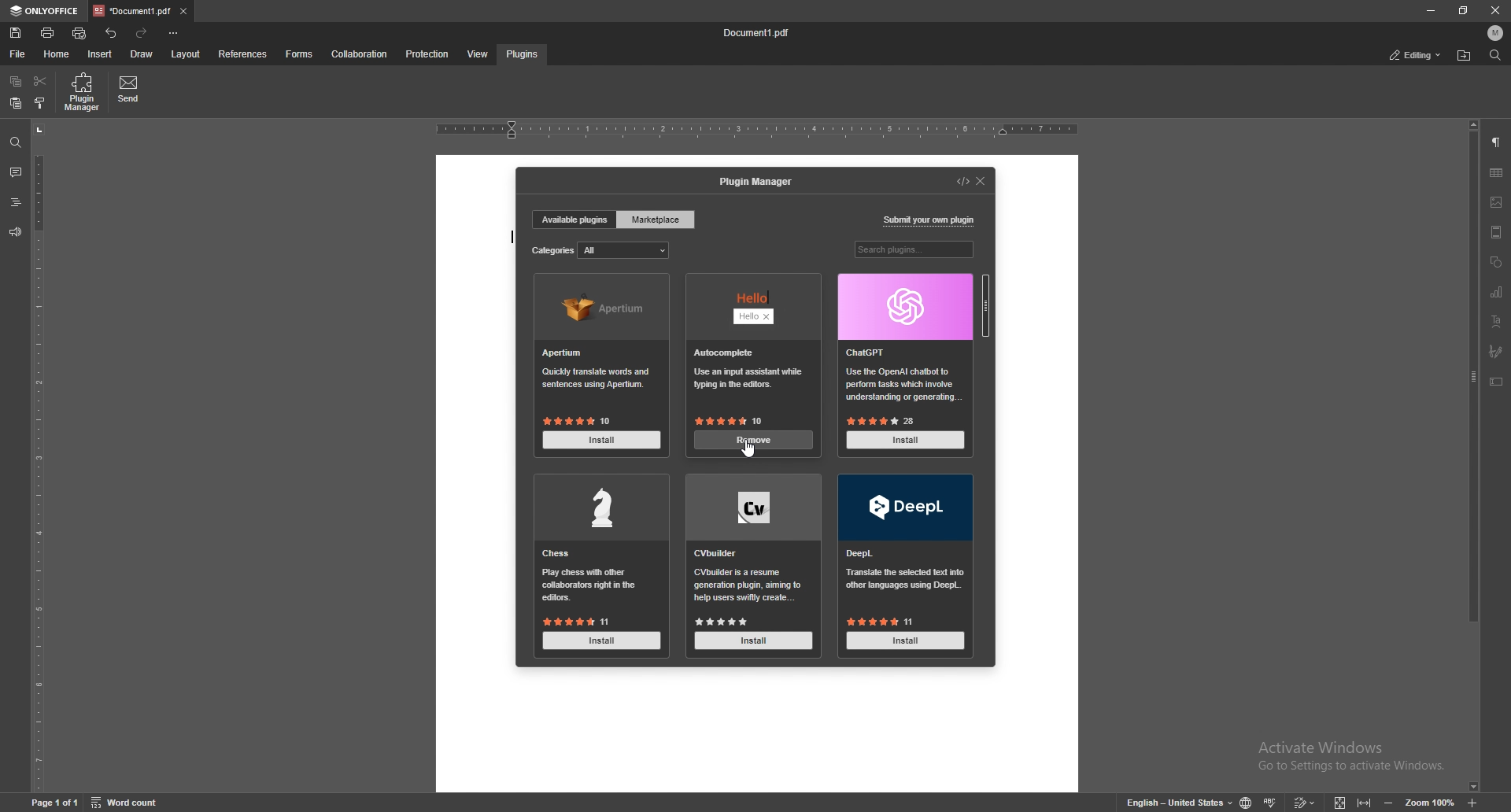 The image size is (1511, 812). Describe the element at coordinates (1417, 54) in the screenshot. I see `status` at that location.